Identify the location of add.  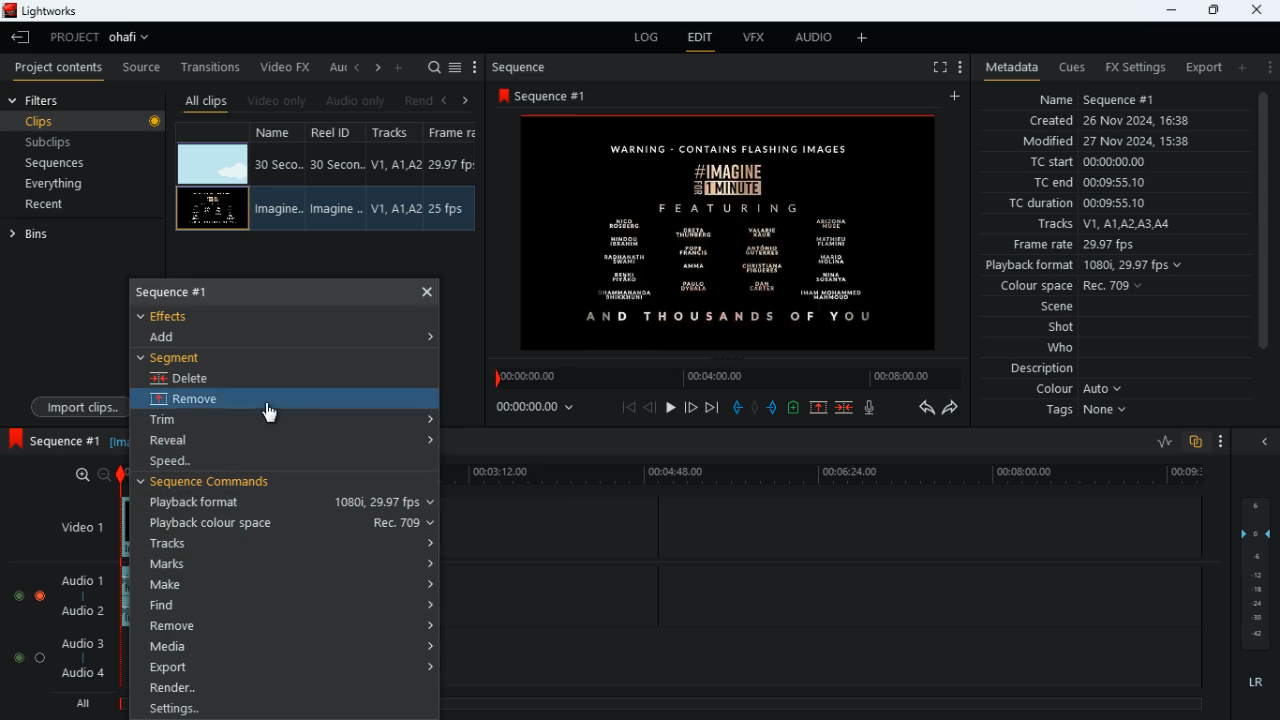
(1242, 68).